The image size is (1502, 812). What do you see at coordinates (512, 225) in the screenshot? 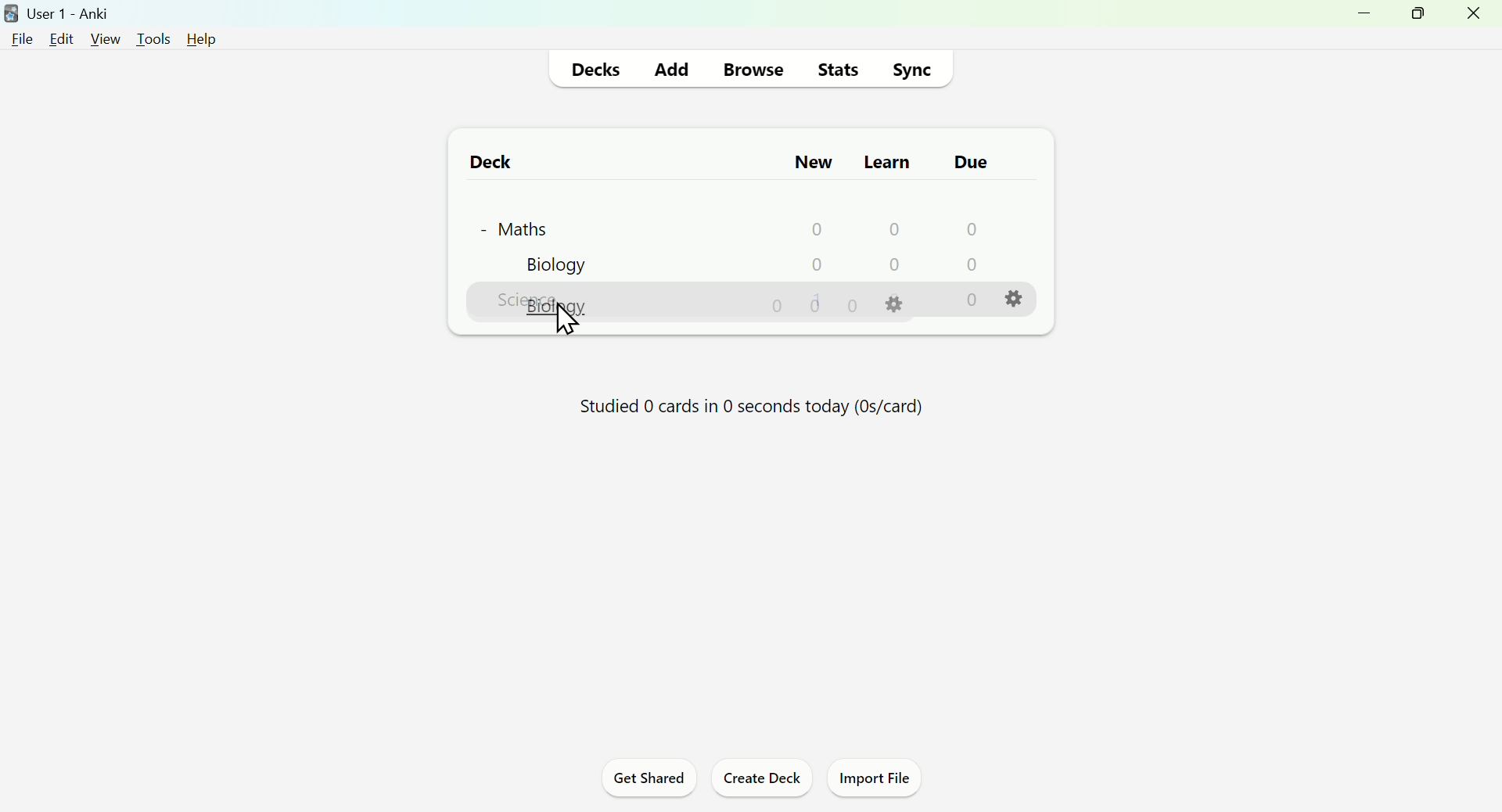
I see `Maths` at bounding box center [512, 225].